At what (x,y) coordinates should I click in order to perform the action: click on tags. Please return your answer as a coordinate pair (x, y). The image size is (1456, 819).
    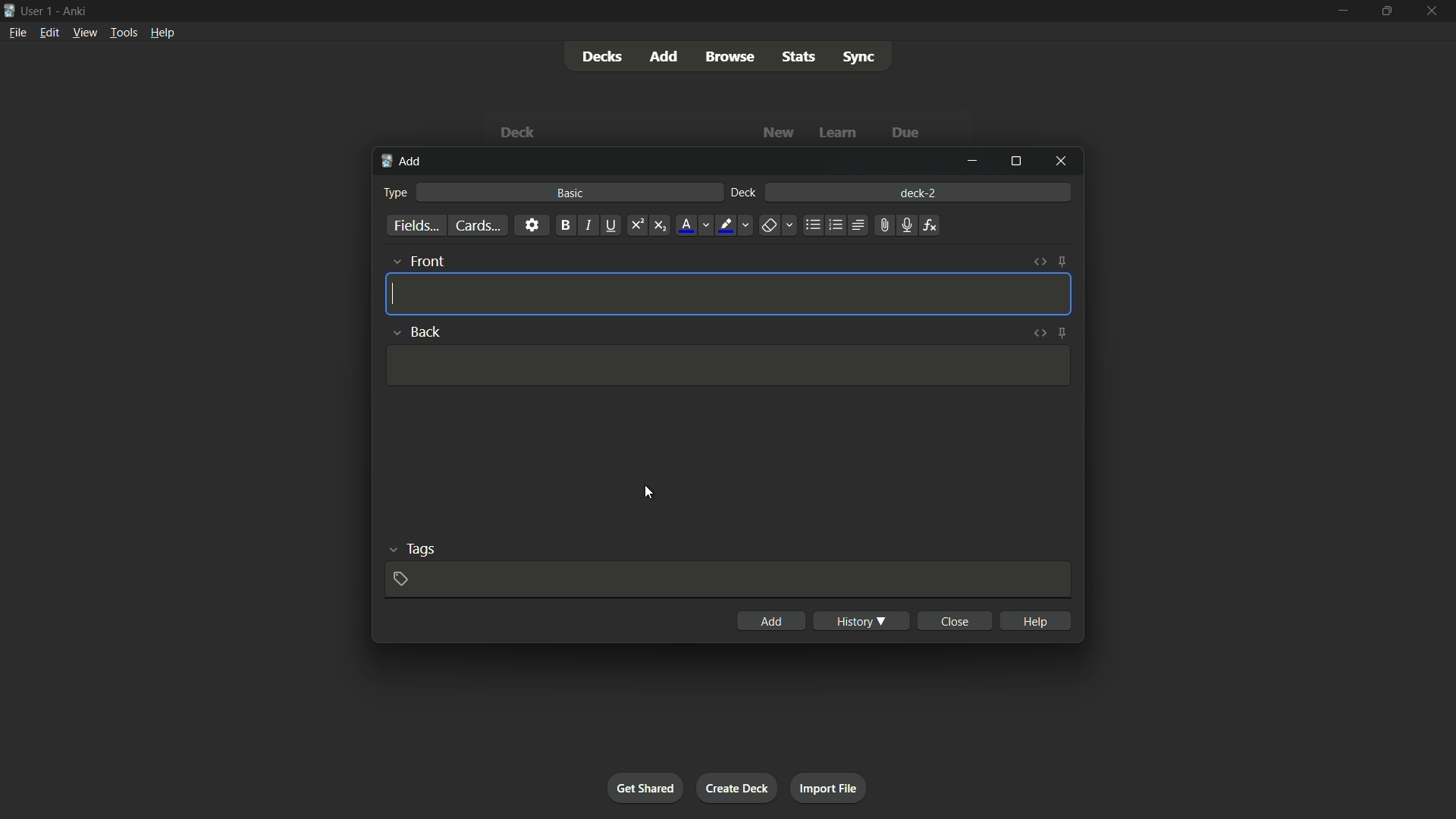
    Looking at the image, I should click on (410, 549).